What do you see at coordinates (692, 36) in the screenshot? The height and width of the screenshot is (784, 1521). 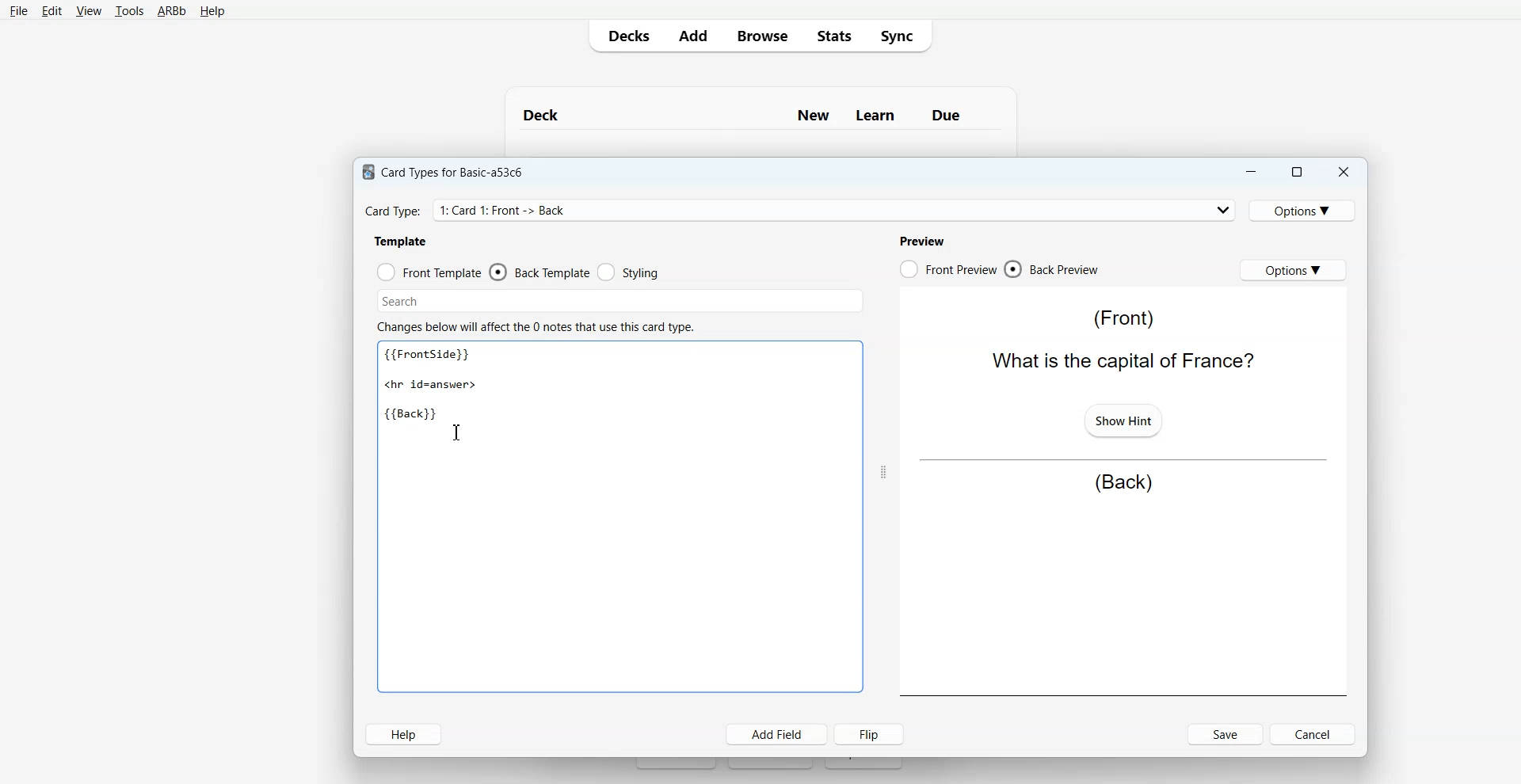 I see `Add` at bounding box center [692, 36].